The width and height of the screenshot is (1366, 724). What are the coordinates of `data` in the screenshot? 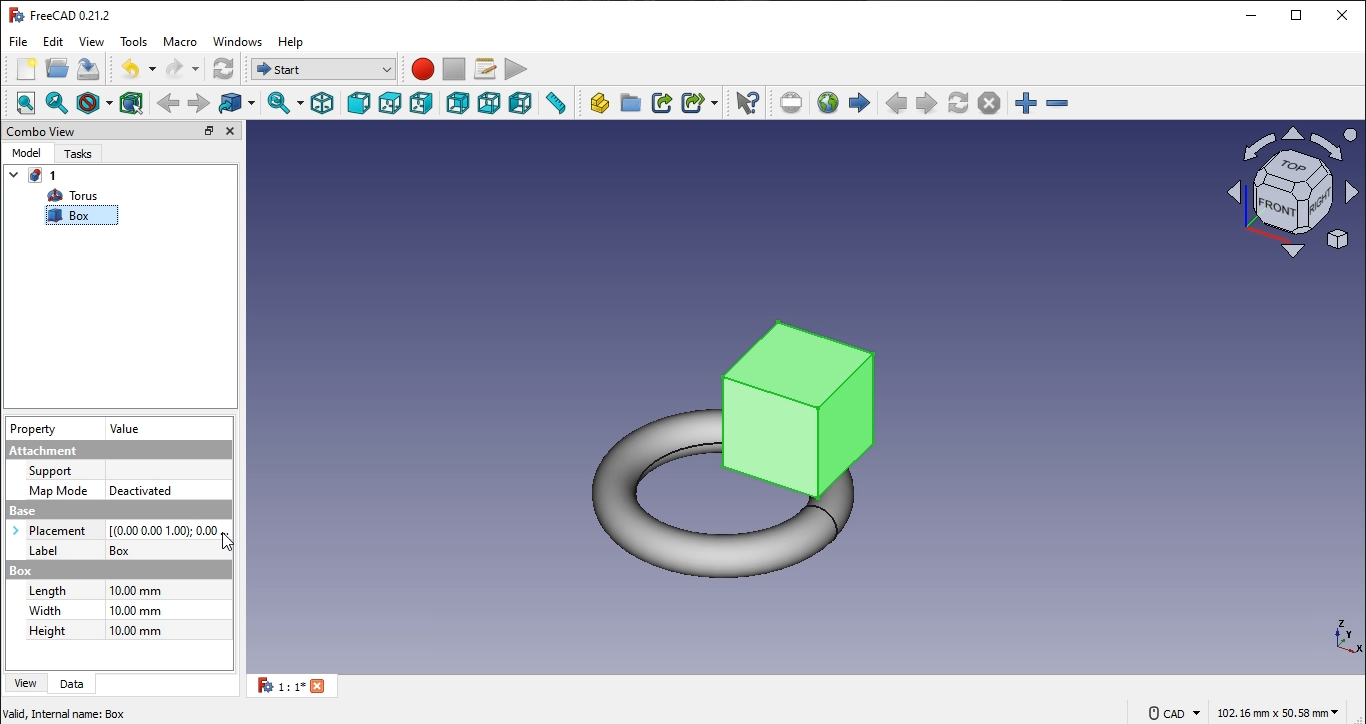 It's located at (72, 685).